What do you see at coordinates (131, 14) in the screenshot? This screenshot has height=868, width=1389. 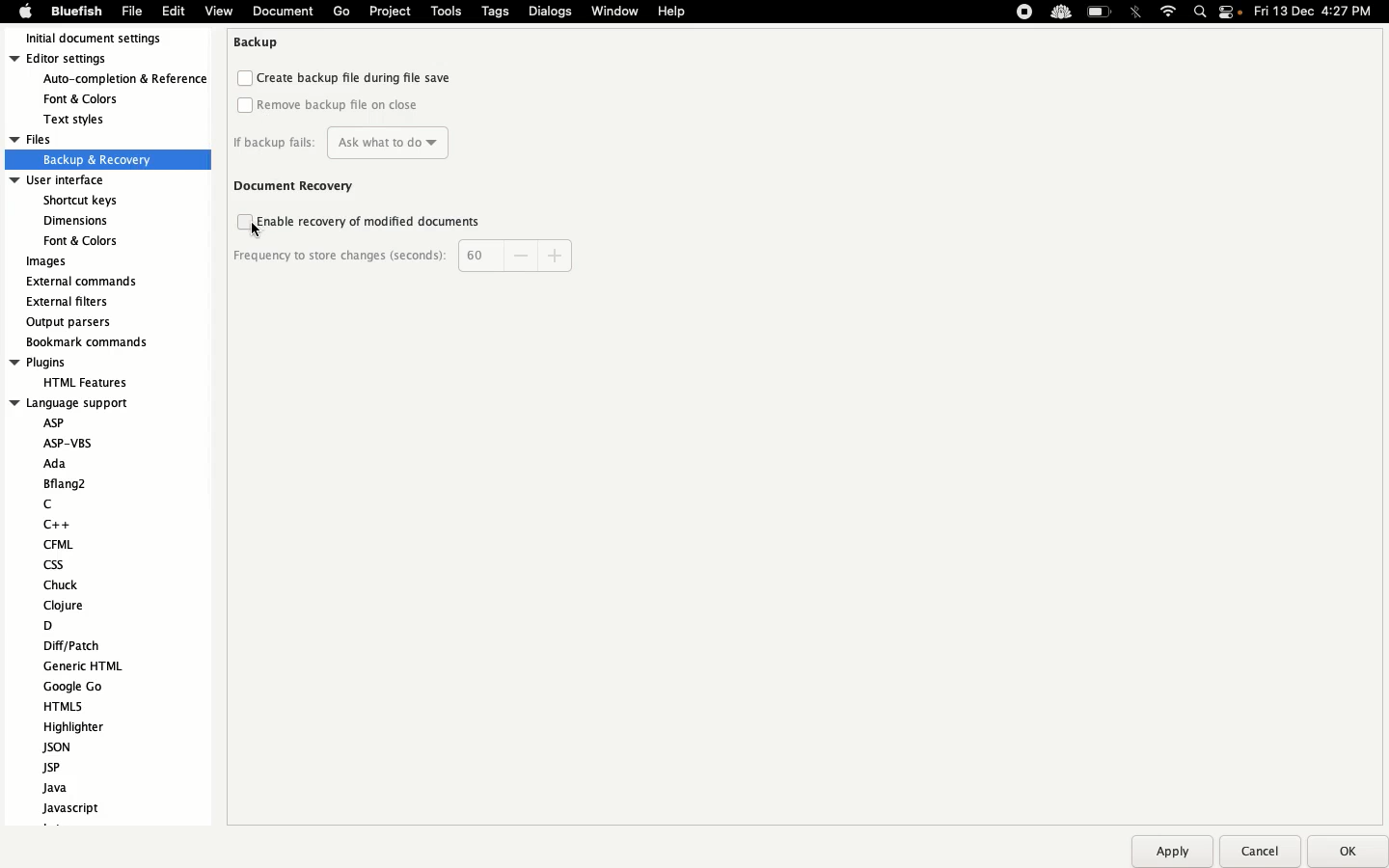 I see `File` at bounding box center [131, 14].